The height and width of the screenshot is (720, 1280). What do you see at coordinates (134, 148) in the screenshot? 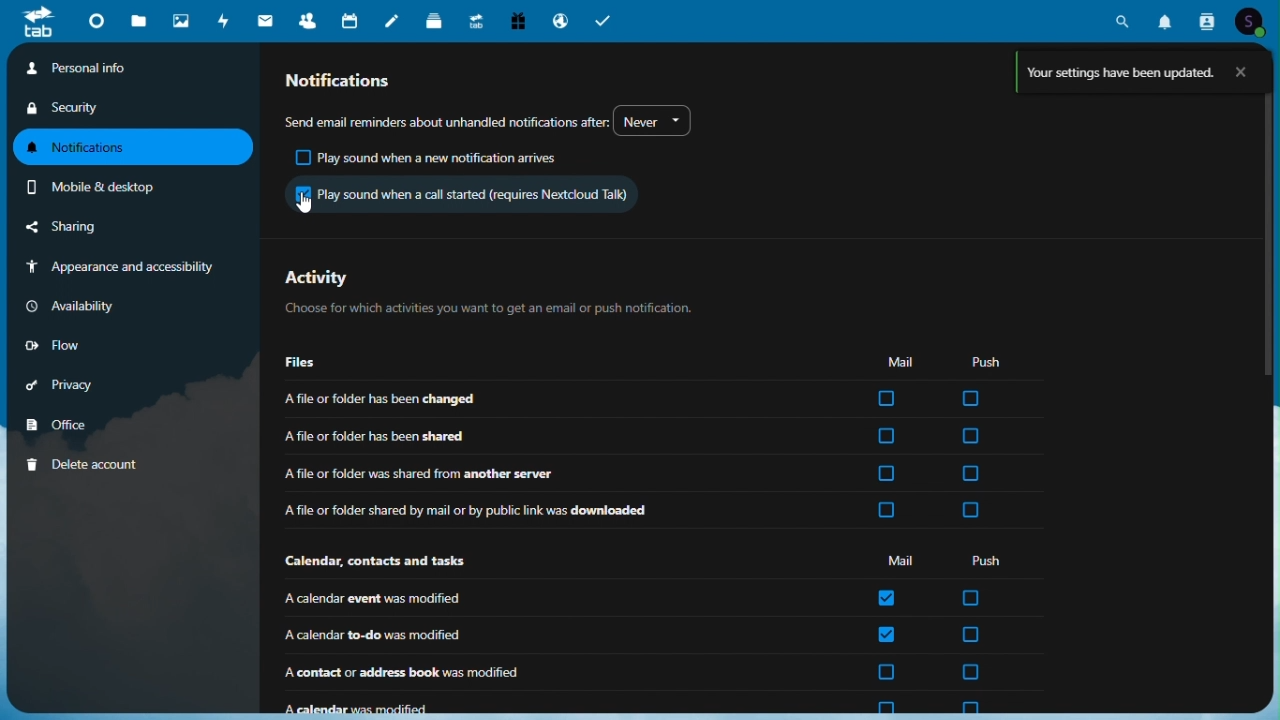
I see `Notifications` at bounding box center [134, 148].